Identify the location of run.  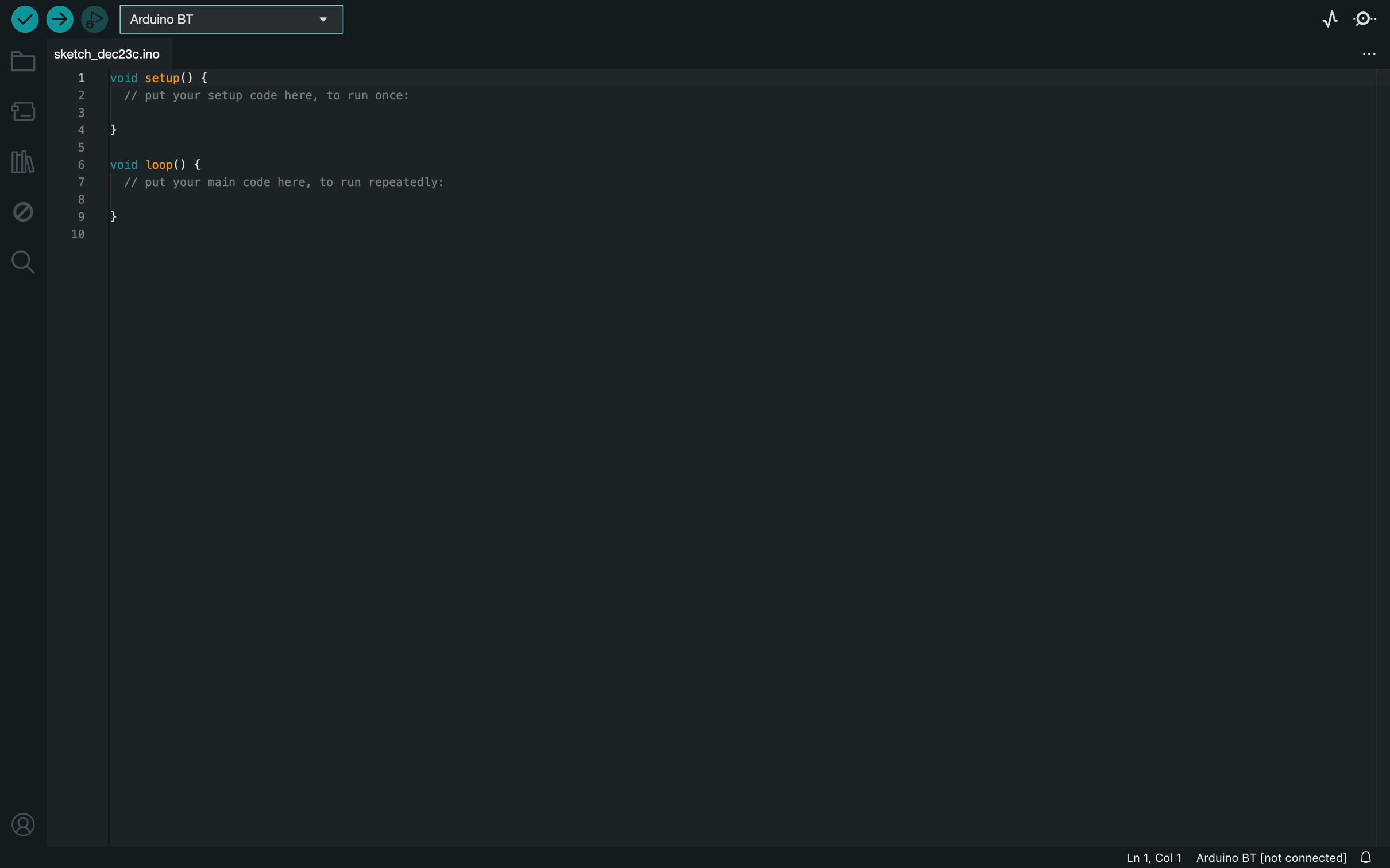
(25, 20).